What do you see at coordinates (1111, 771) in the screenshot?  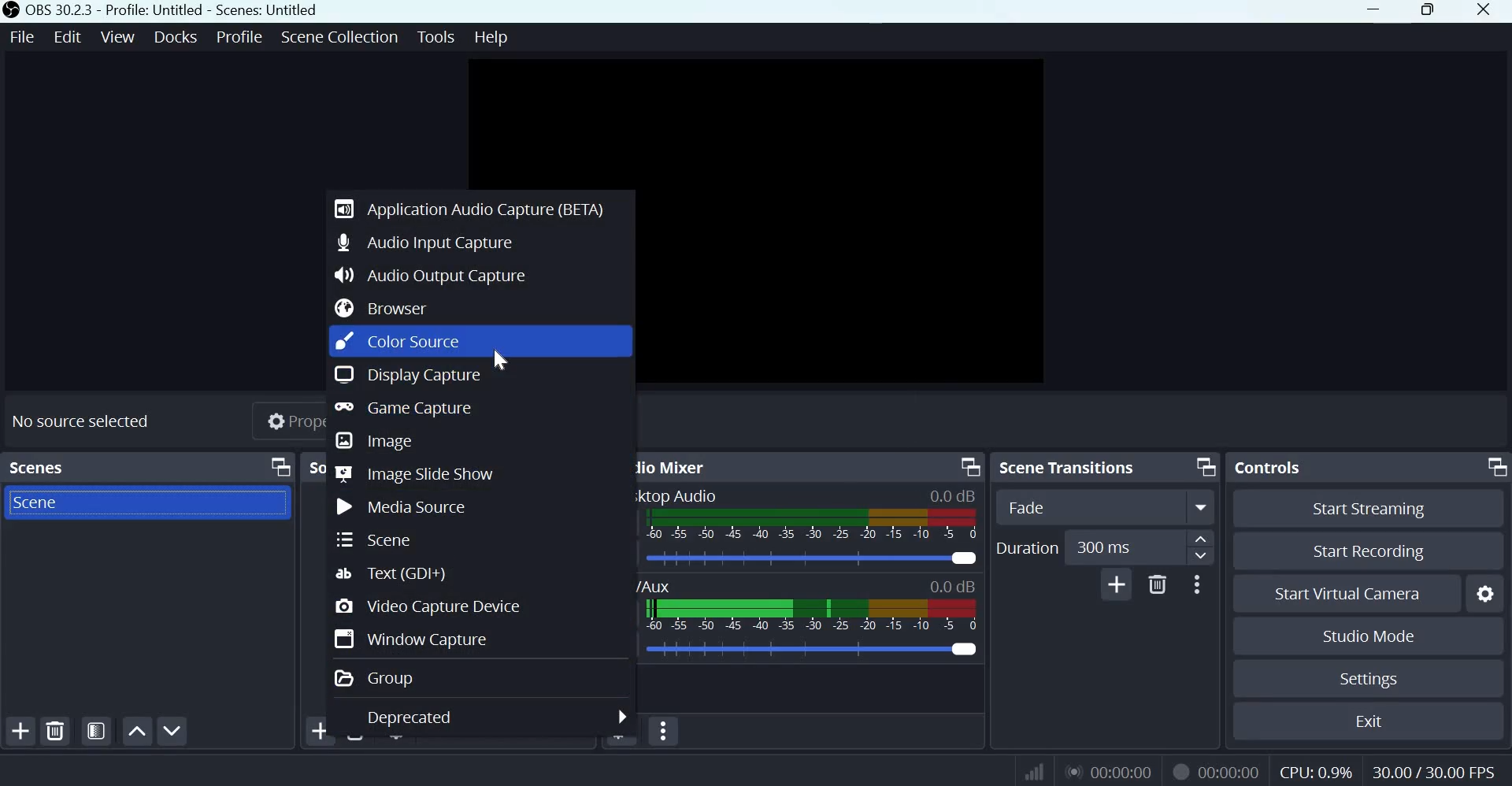 I see `Live Duration Timer` at bounding box center [1111, 771].